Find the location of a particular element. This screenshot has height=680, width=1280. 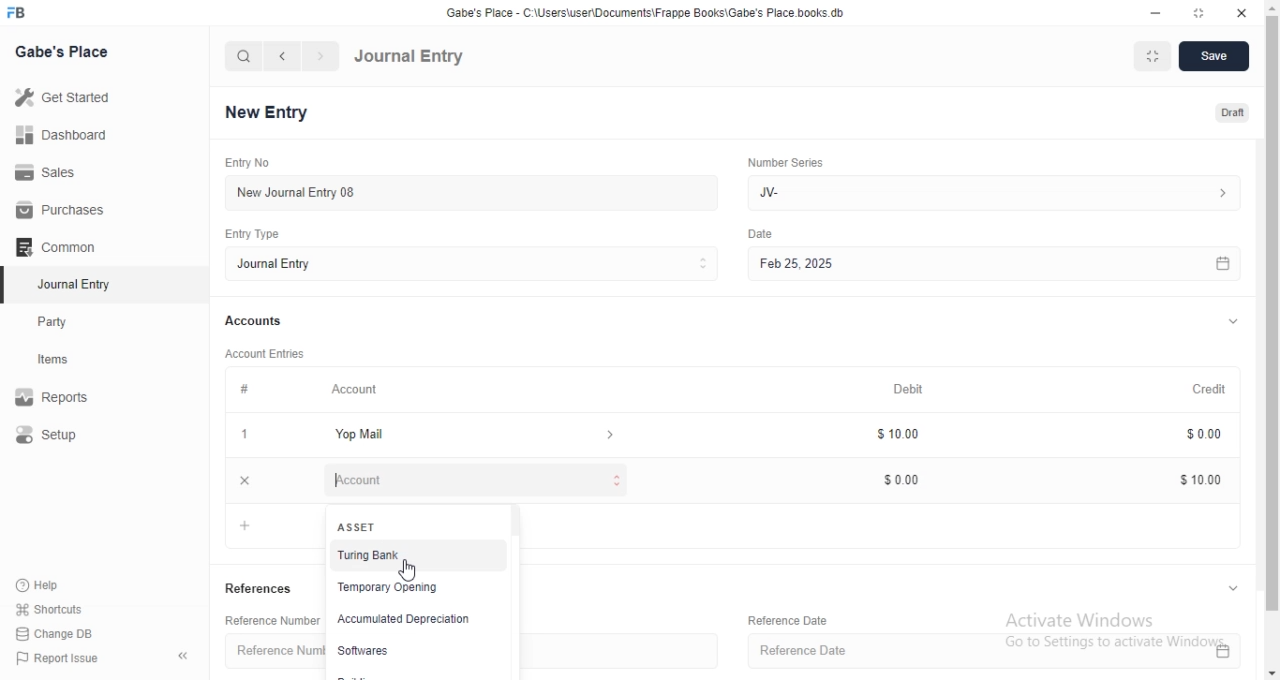

Entry No is located at coordinates (245, 161).